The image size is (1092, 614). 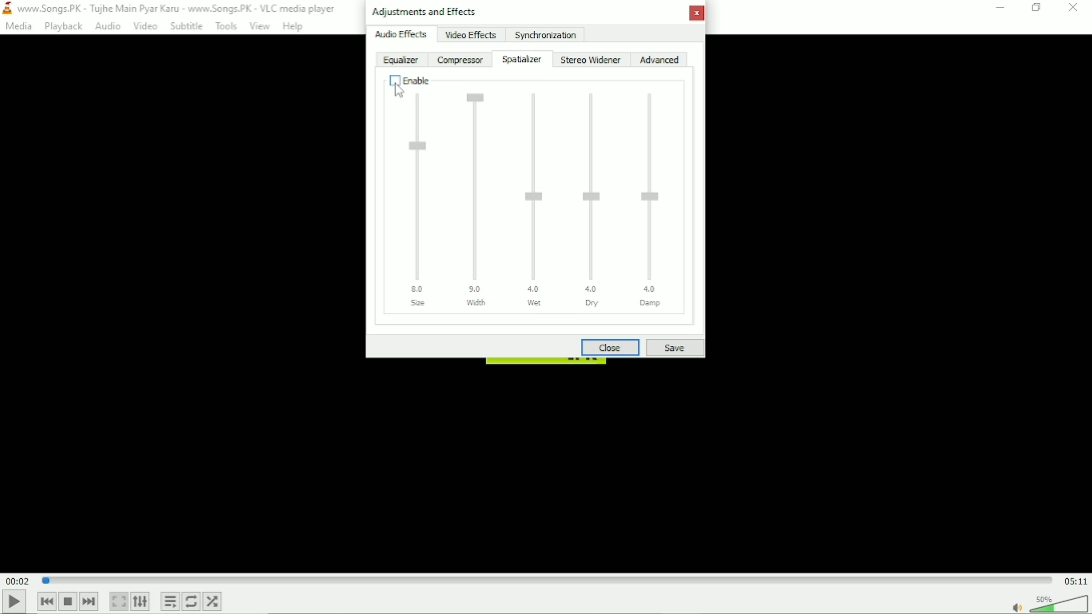 What do you see at coordinates (535, 200) in the screenshot?
I see `Wet` at bounding box center [535, 200].